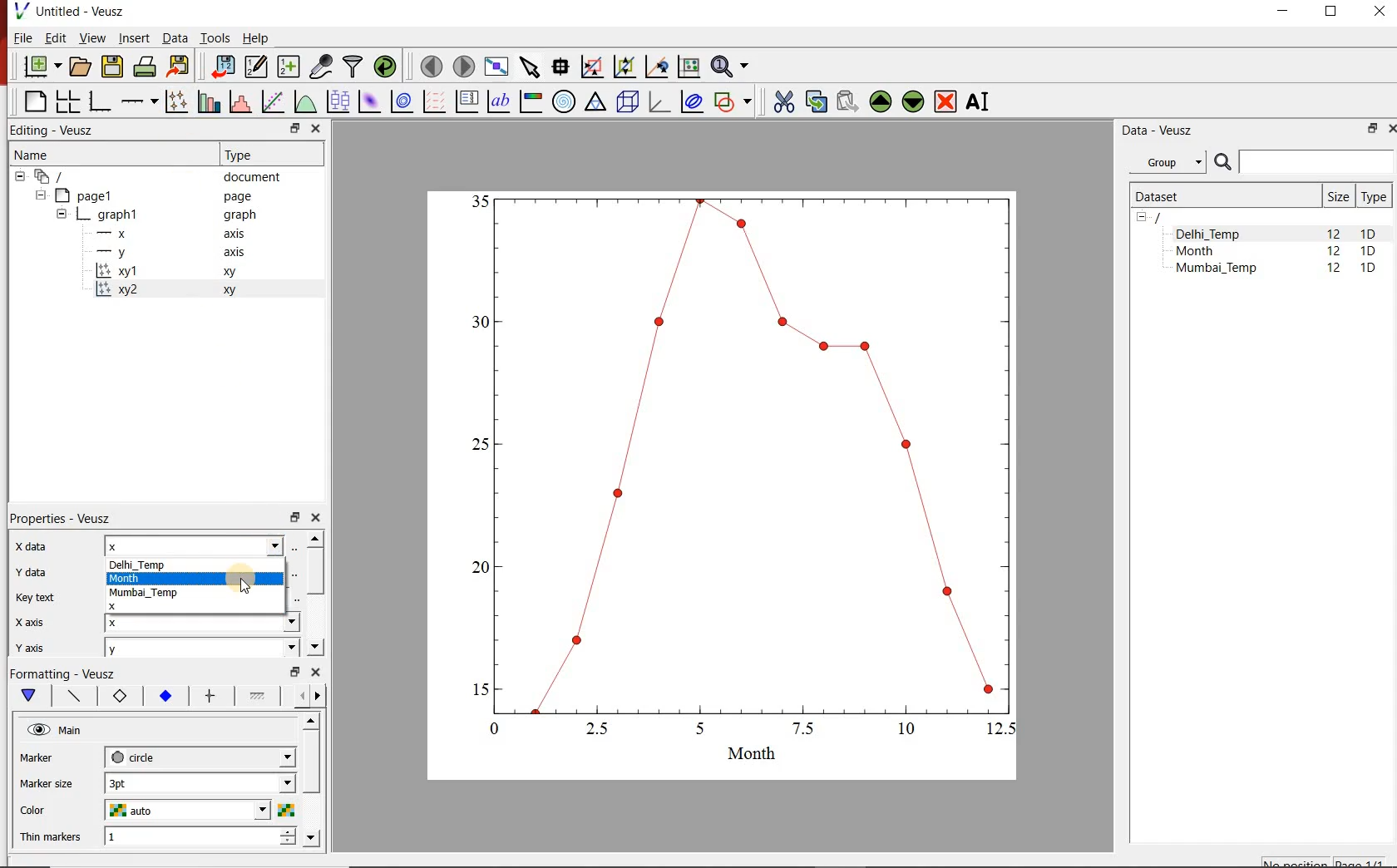 Image resolution: width=1397 pixels, height=868 pixels. I want to click on Page1, so click(145, 195).